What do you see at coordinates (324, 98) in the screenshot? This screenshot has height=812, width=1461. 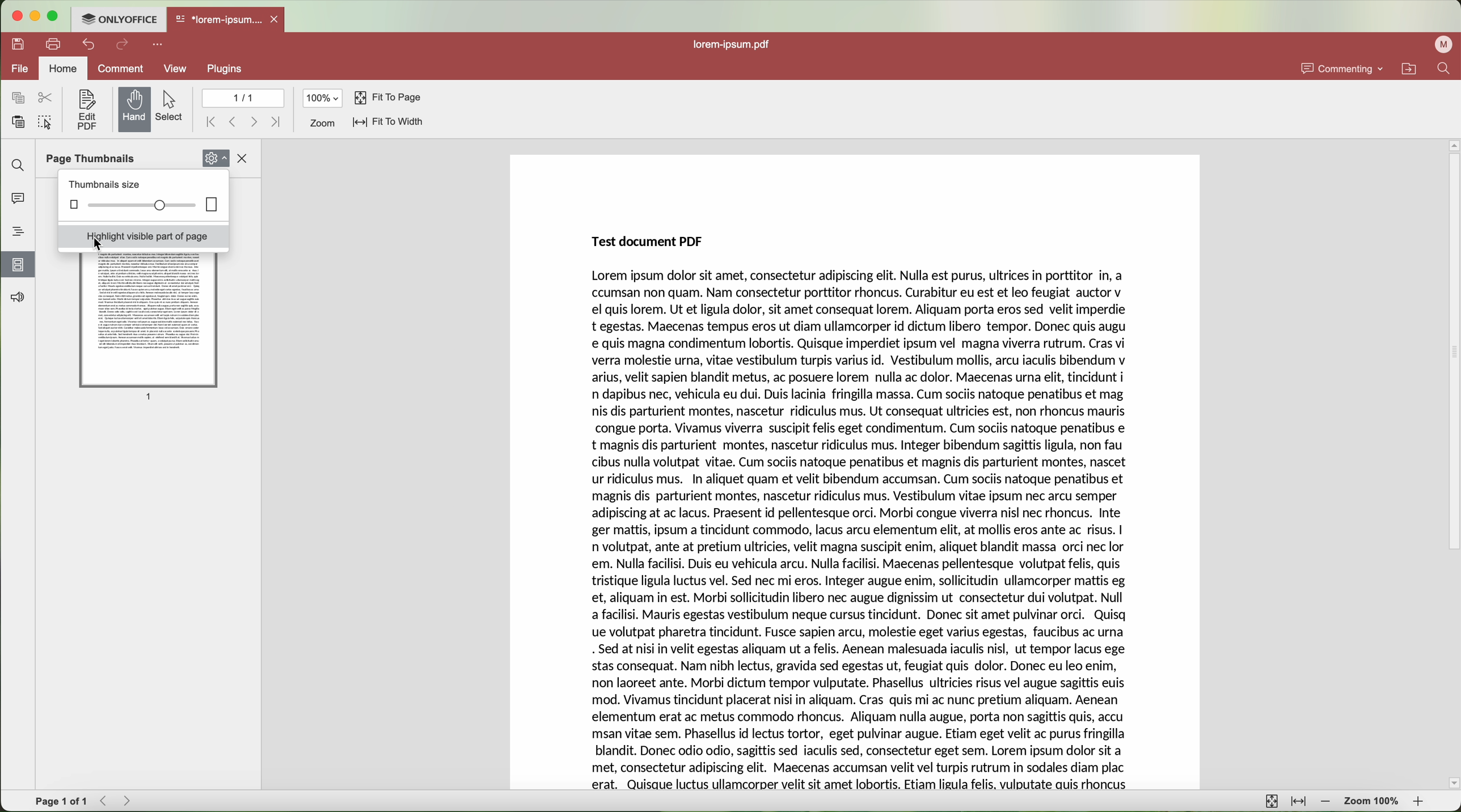 I see `100%` at bounding box center [324, 98].